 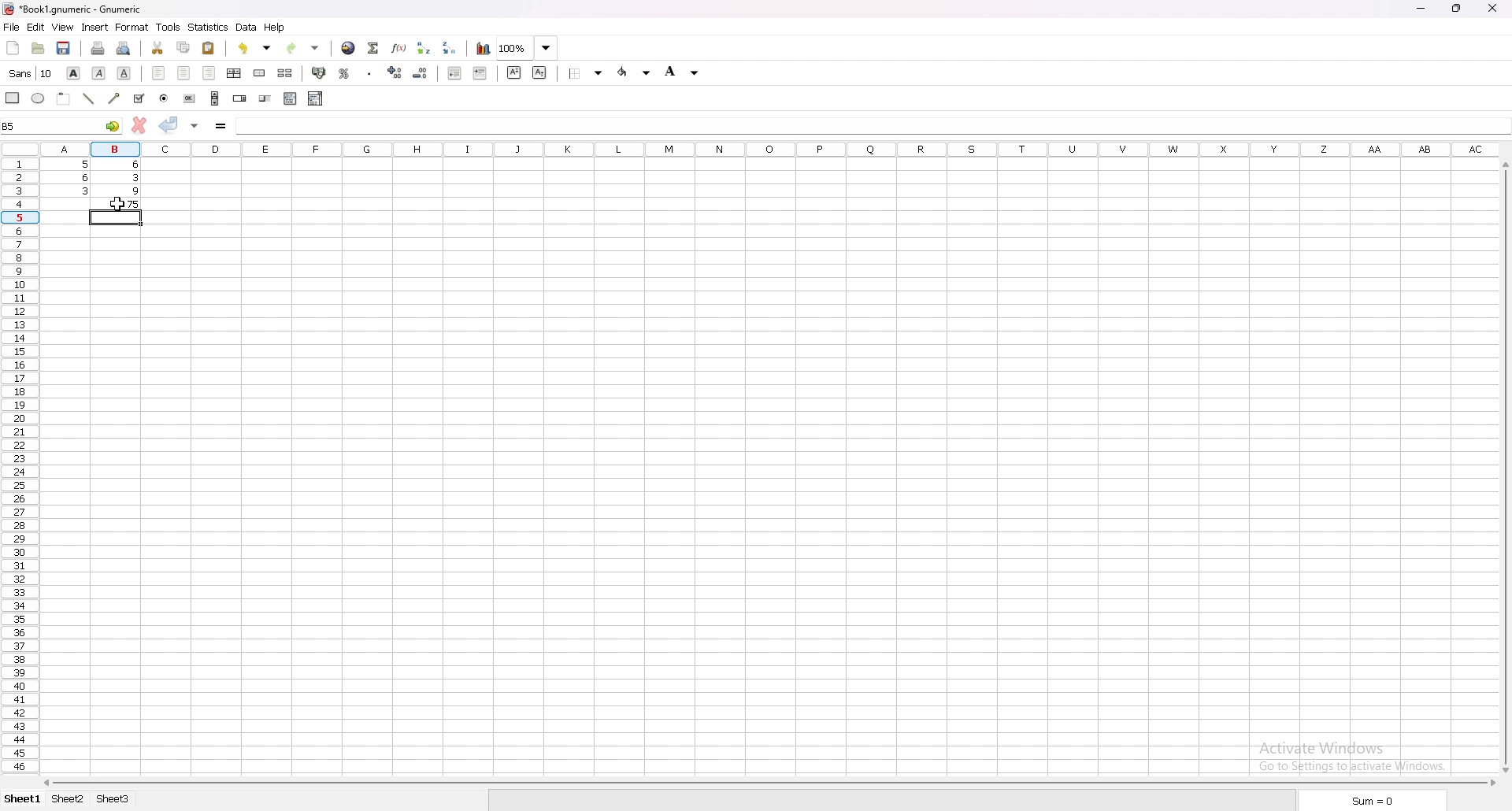 I want to click on save, so click(x=65, y=49).